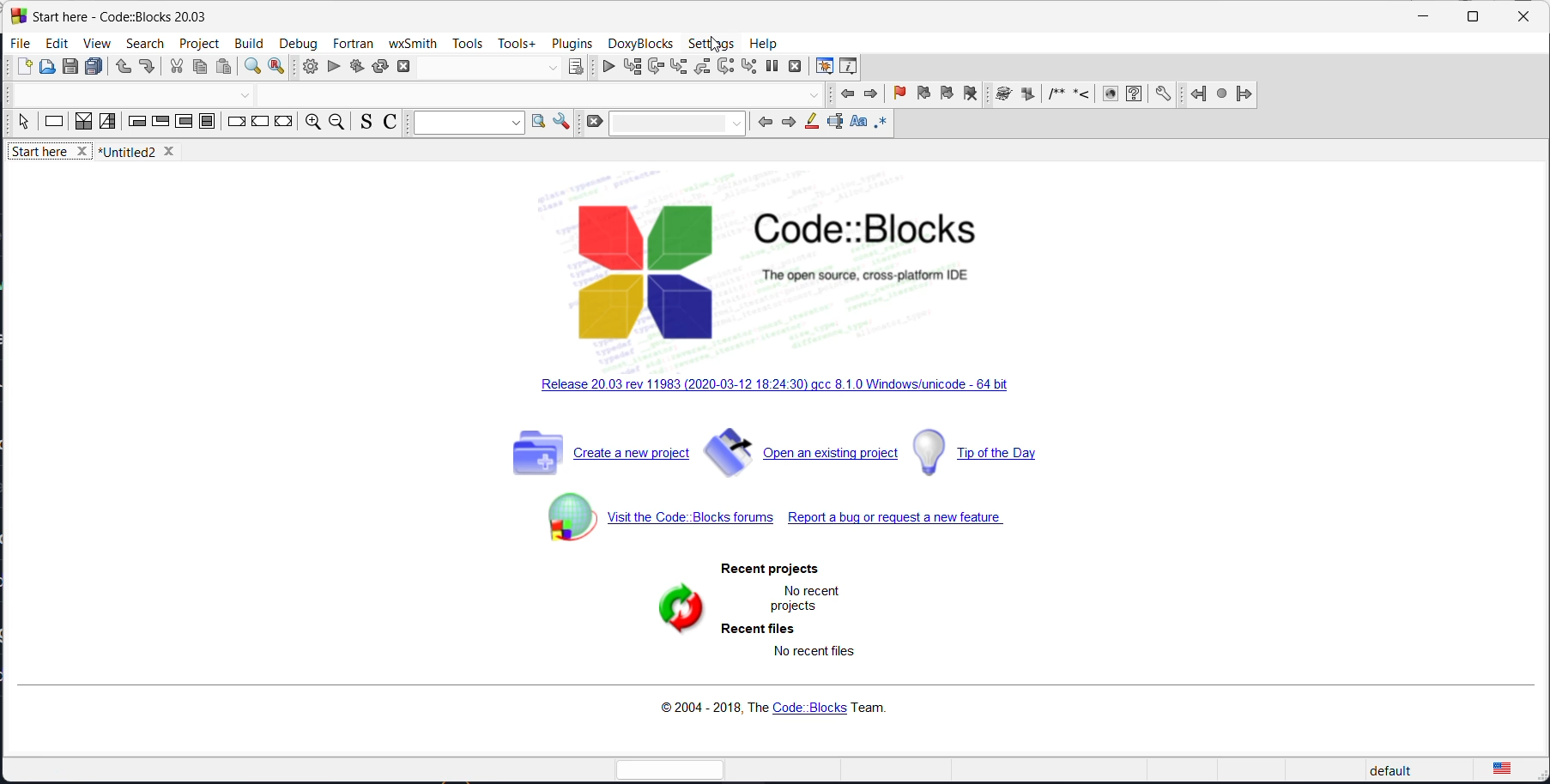 The height and width of the screenshot is (784, 1550). Describe the element at coordinates (236, 124) in the screenshot. I see `break instruction` at that location.